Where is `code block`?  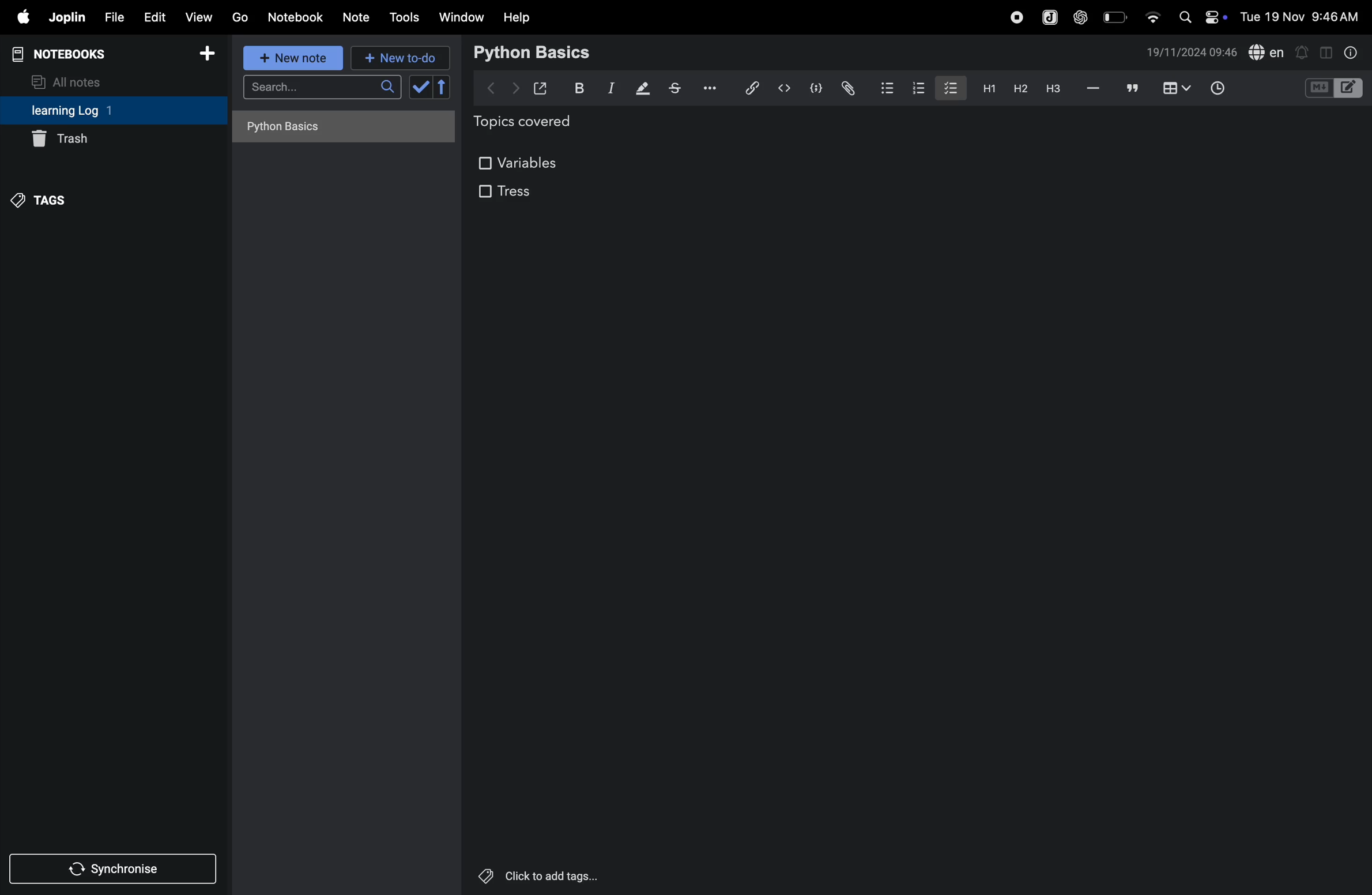 code block is located at coordinates (814, 89).